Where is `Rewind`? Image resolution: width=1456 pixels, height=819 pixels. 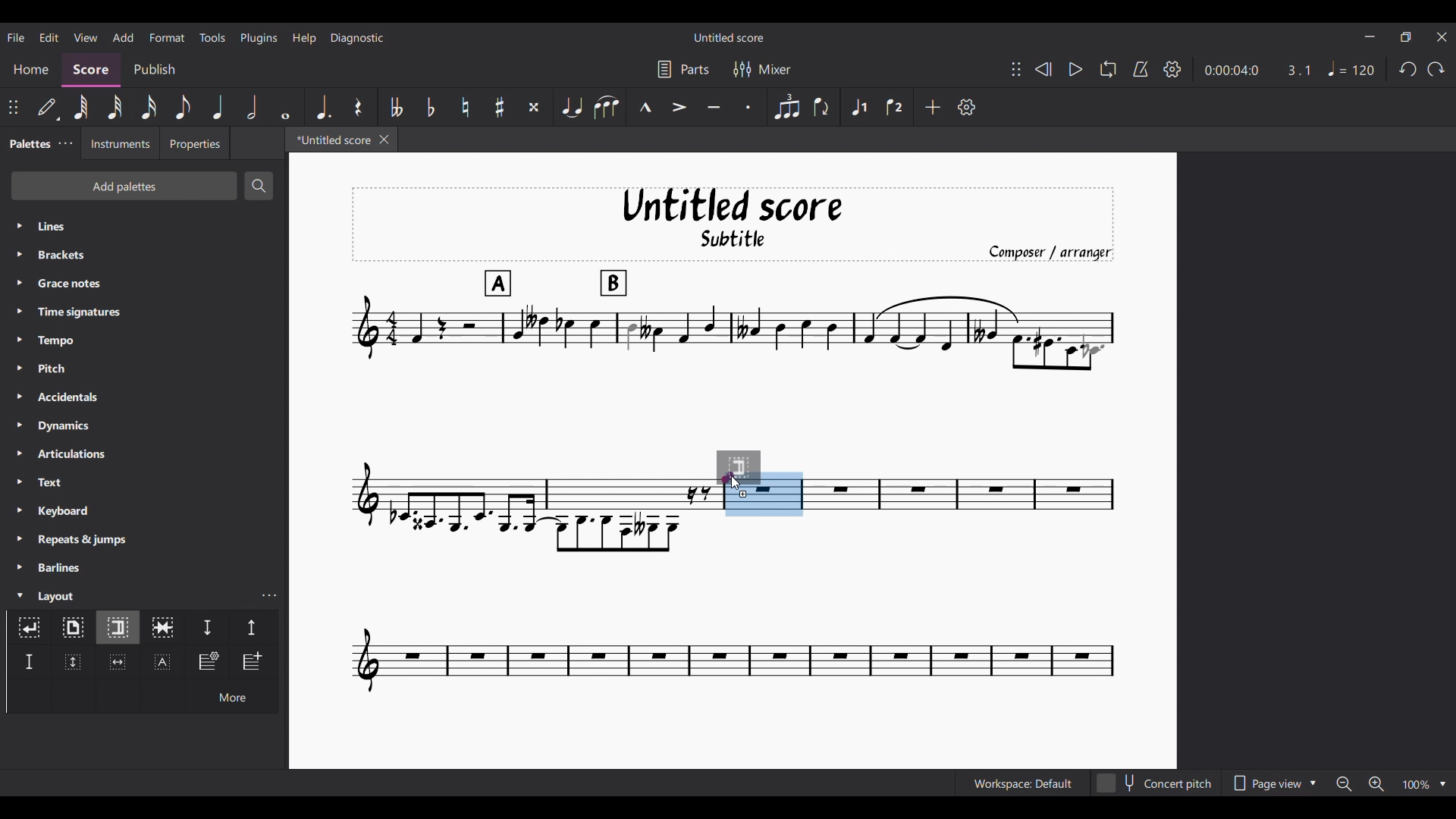 Rewind is located at coordinates (1043, 69).